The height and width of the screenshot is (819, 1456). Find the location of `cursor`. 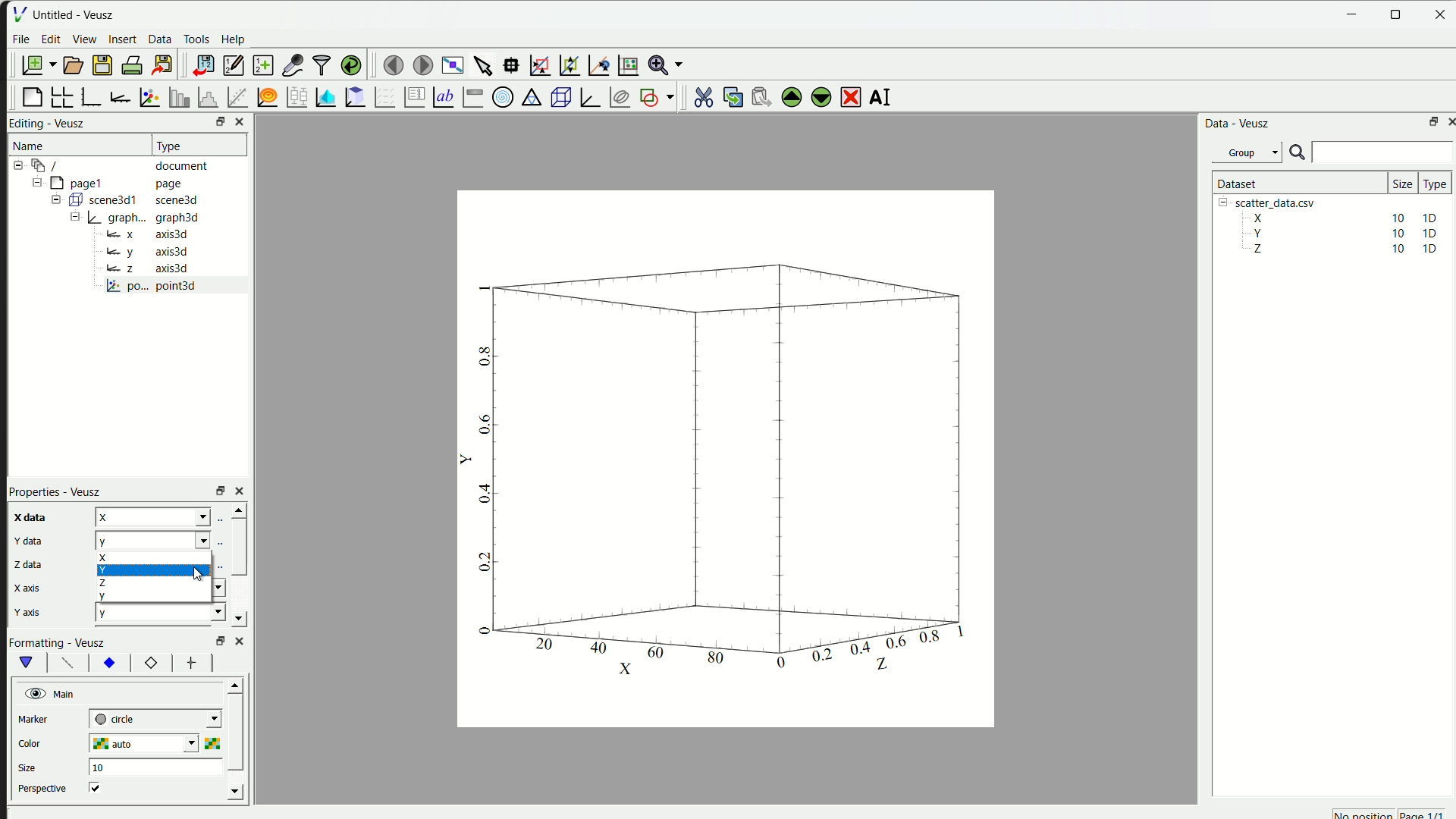

cursor is located at coordinates (196, 575).